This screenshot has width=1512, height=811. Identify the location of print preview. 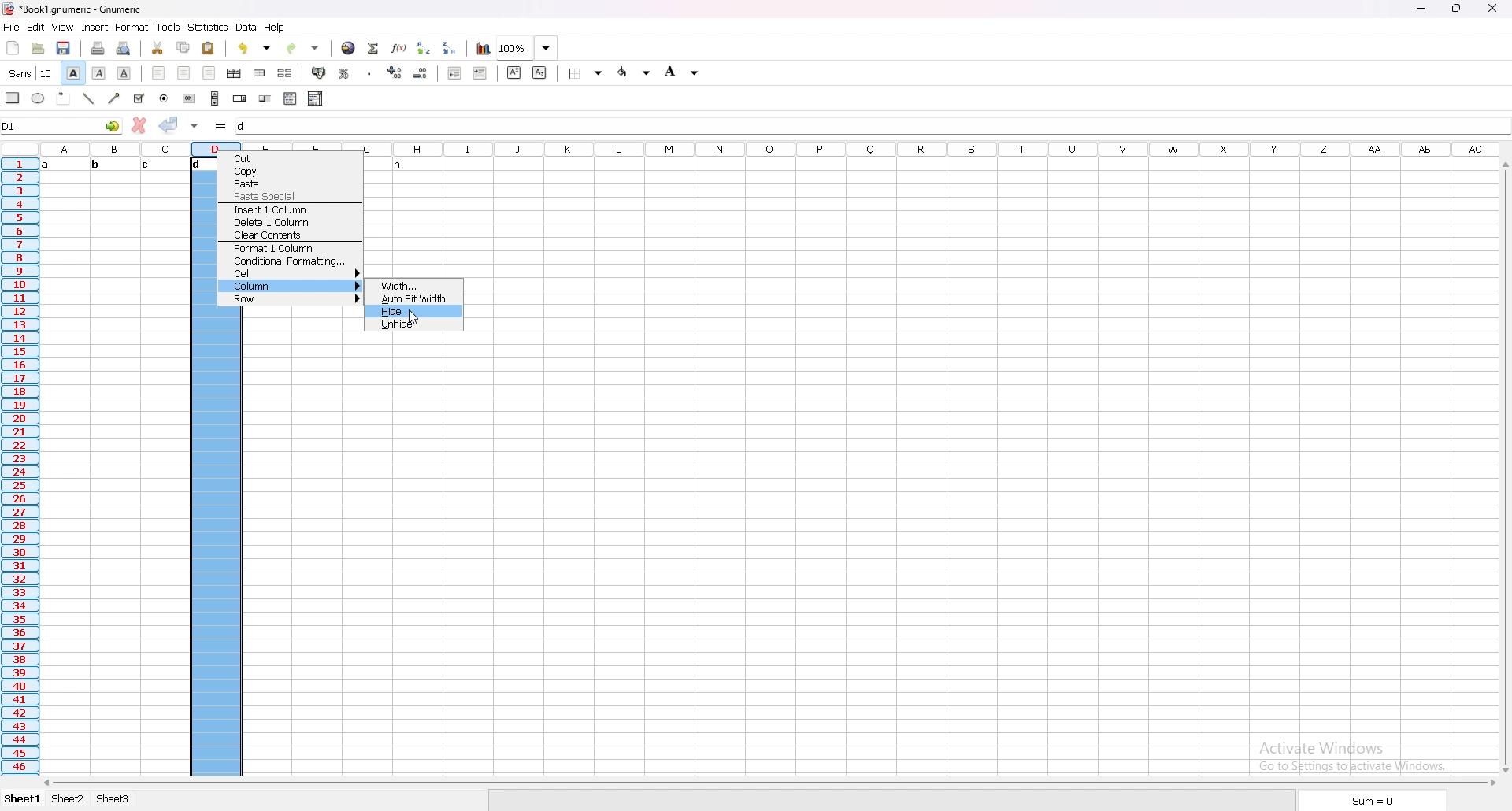
(124, 48).